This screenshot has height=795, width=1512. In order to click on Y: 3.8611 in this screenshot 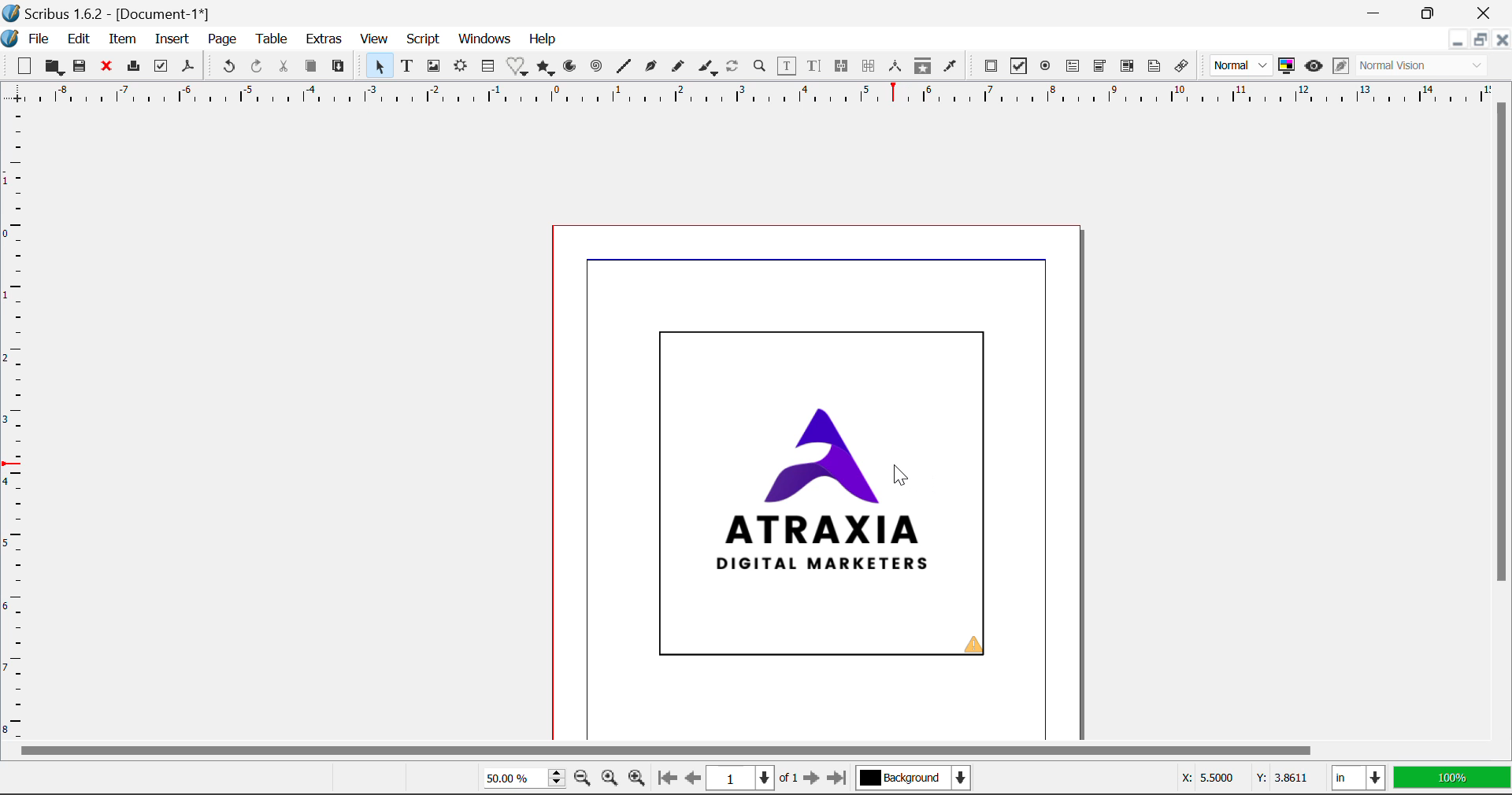, I will do `click(1282, 779)`.